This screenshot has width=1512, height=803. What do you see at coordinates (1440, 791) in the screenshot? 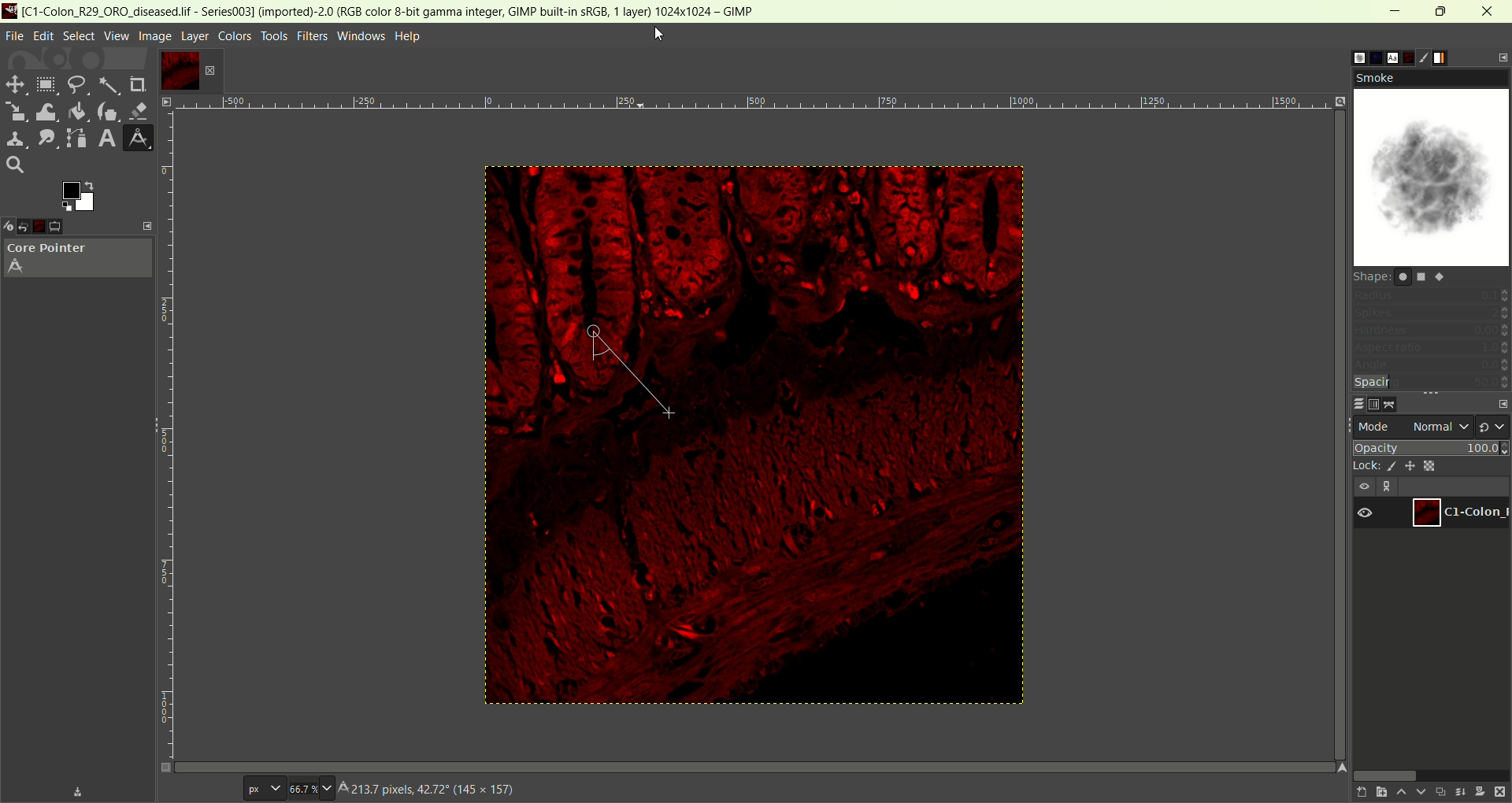
I see `duplicate layer` at bounding box center [1440, 791].